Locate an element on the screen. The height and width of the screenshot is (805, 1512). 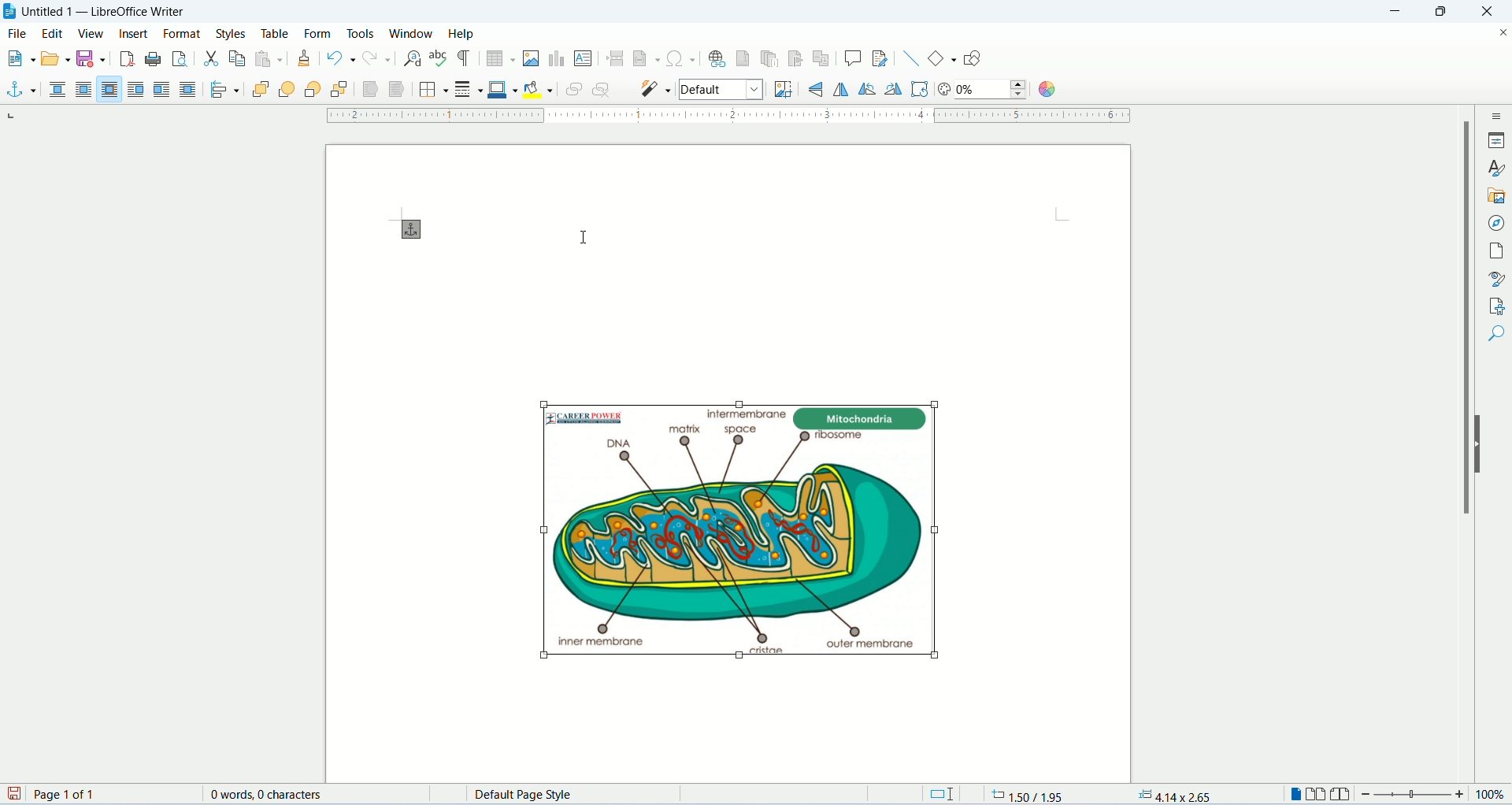
tools is located at coordinates (361, 35).